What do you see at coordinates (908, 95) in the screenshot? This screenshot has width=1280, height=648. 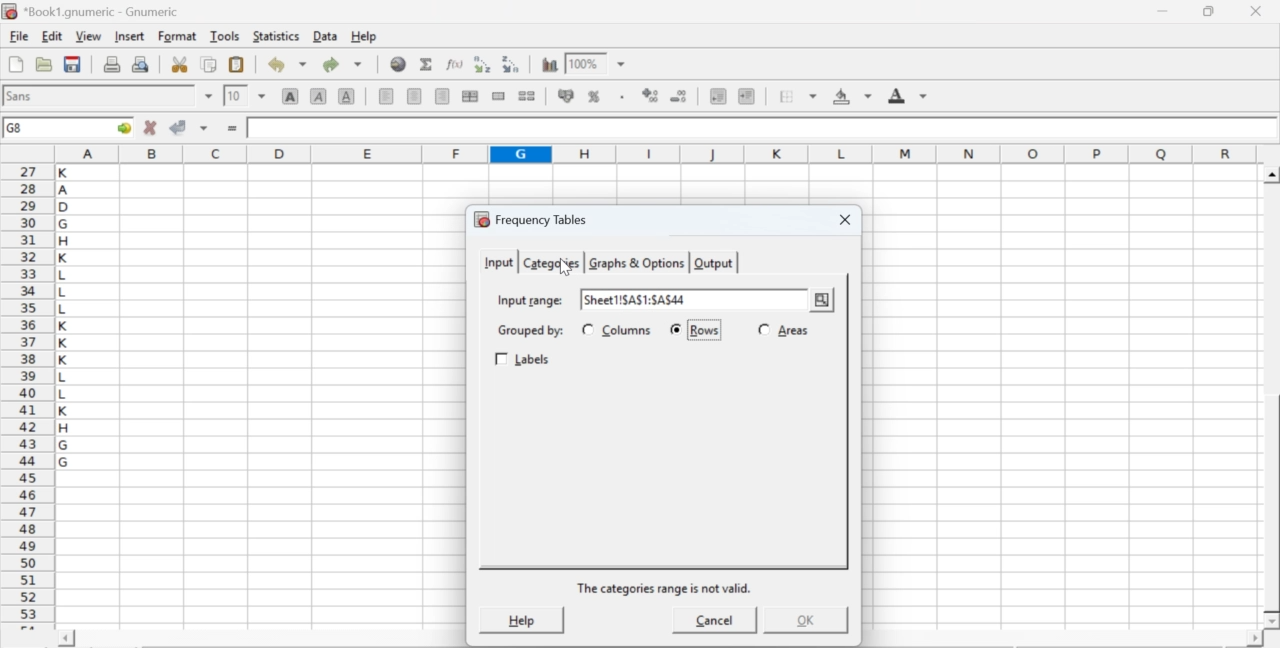 I see `foreground` at bounding box center [908, 95].